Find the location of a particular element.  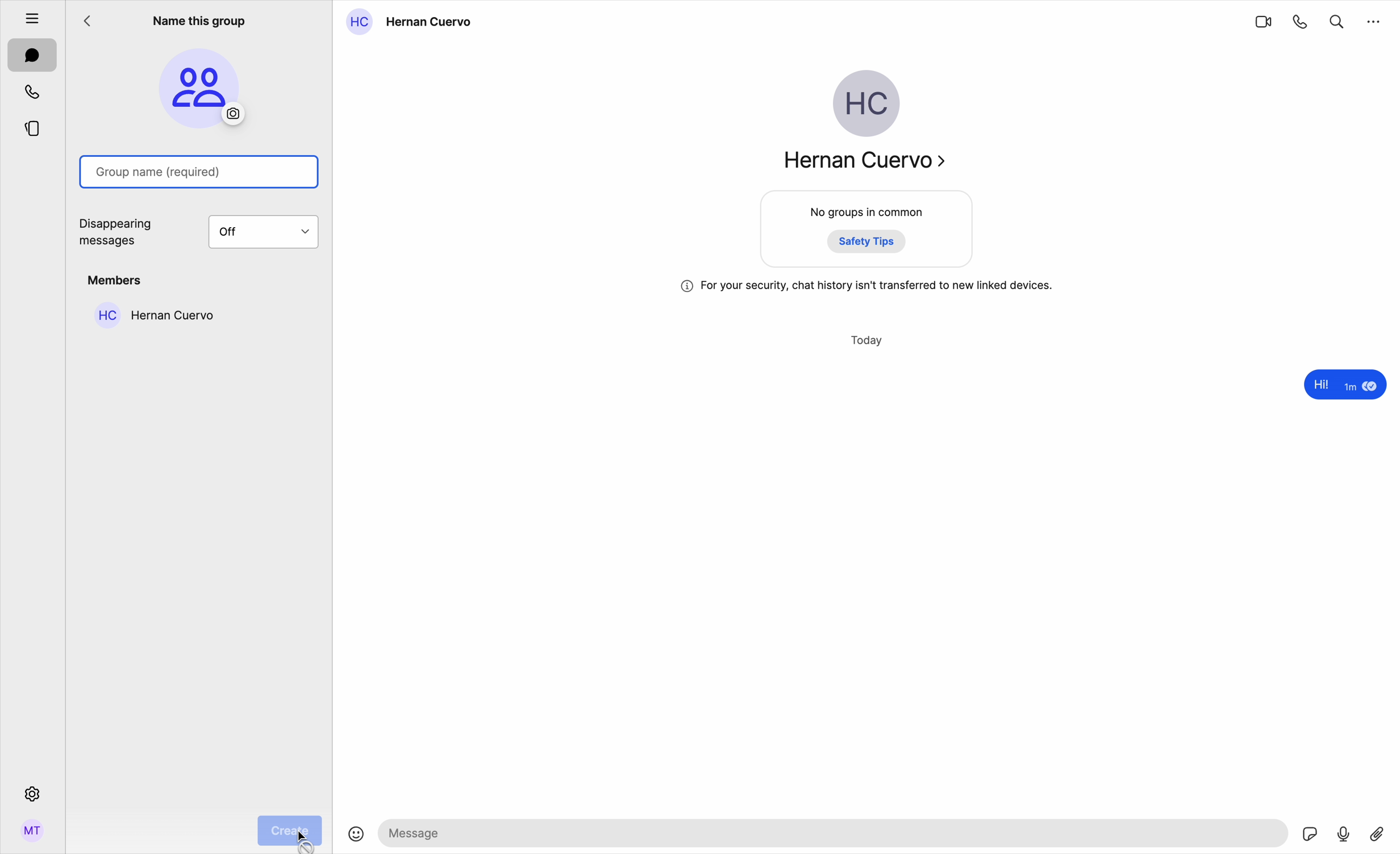

create button is located at coordinates (290, 830).